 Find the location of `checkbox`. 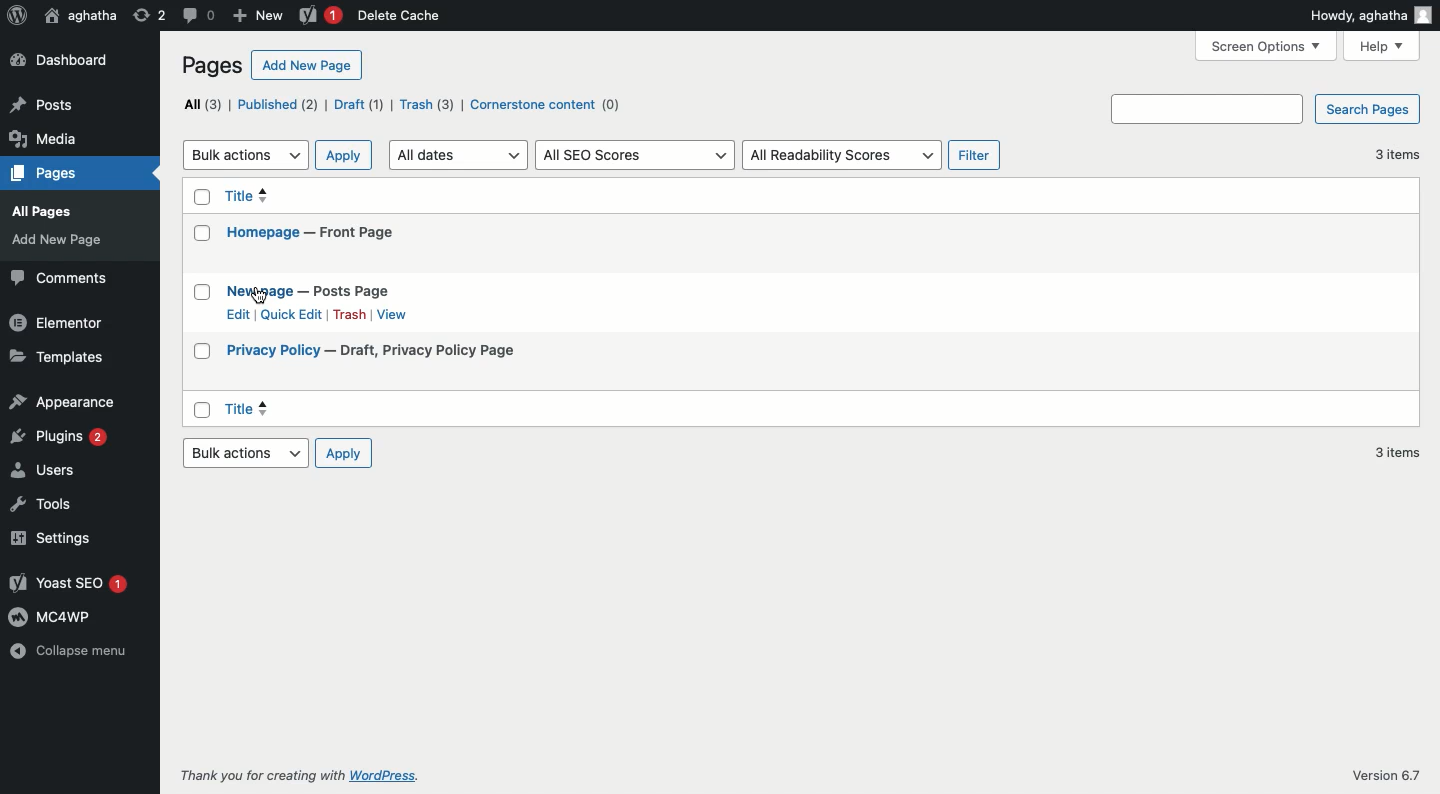

checkbox is located at coordinates (201, 196).